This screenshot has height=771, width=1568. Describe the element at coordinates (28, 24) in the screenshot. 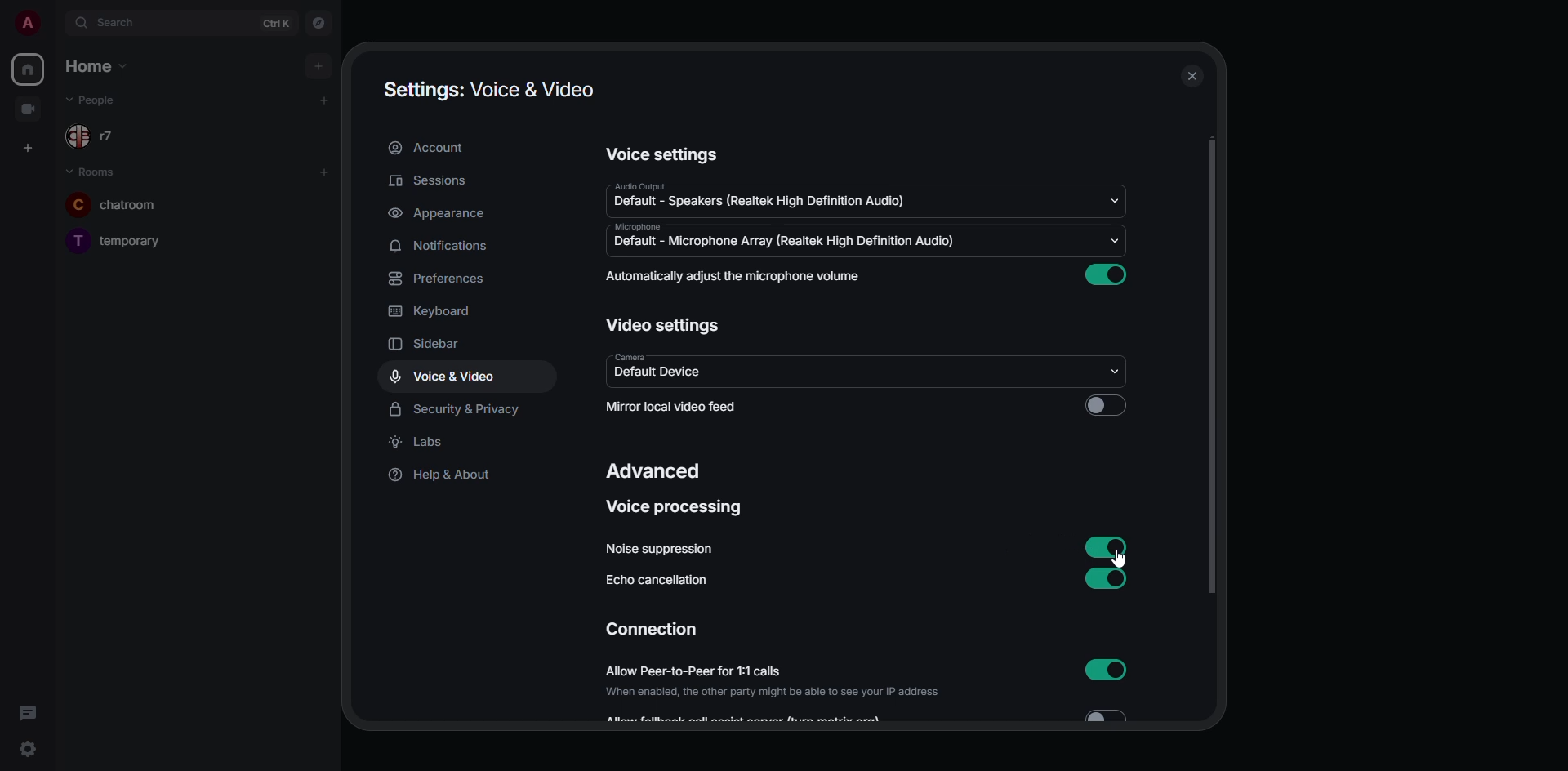

I see `profile` at that location.